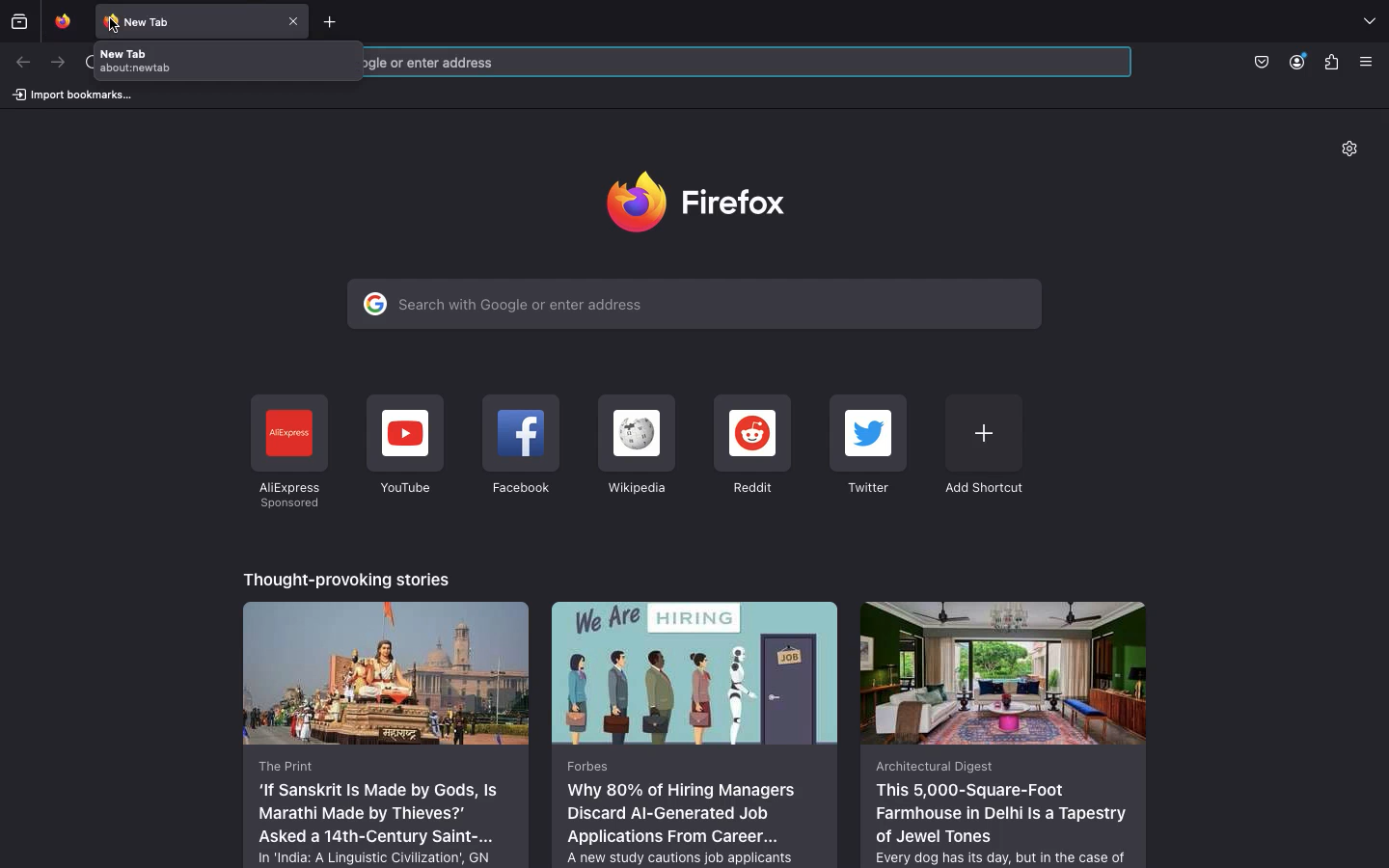 The height and width of the screenshot is (868, 1389). I want to click on Search bar, so click(753, 61).